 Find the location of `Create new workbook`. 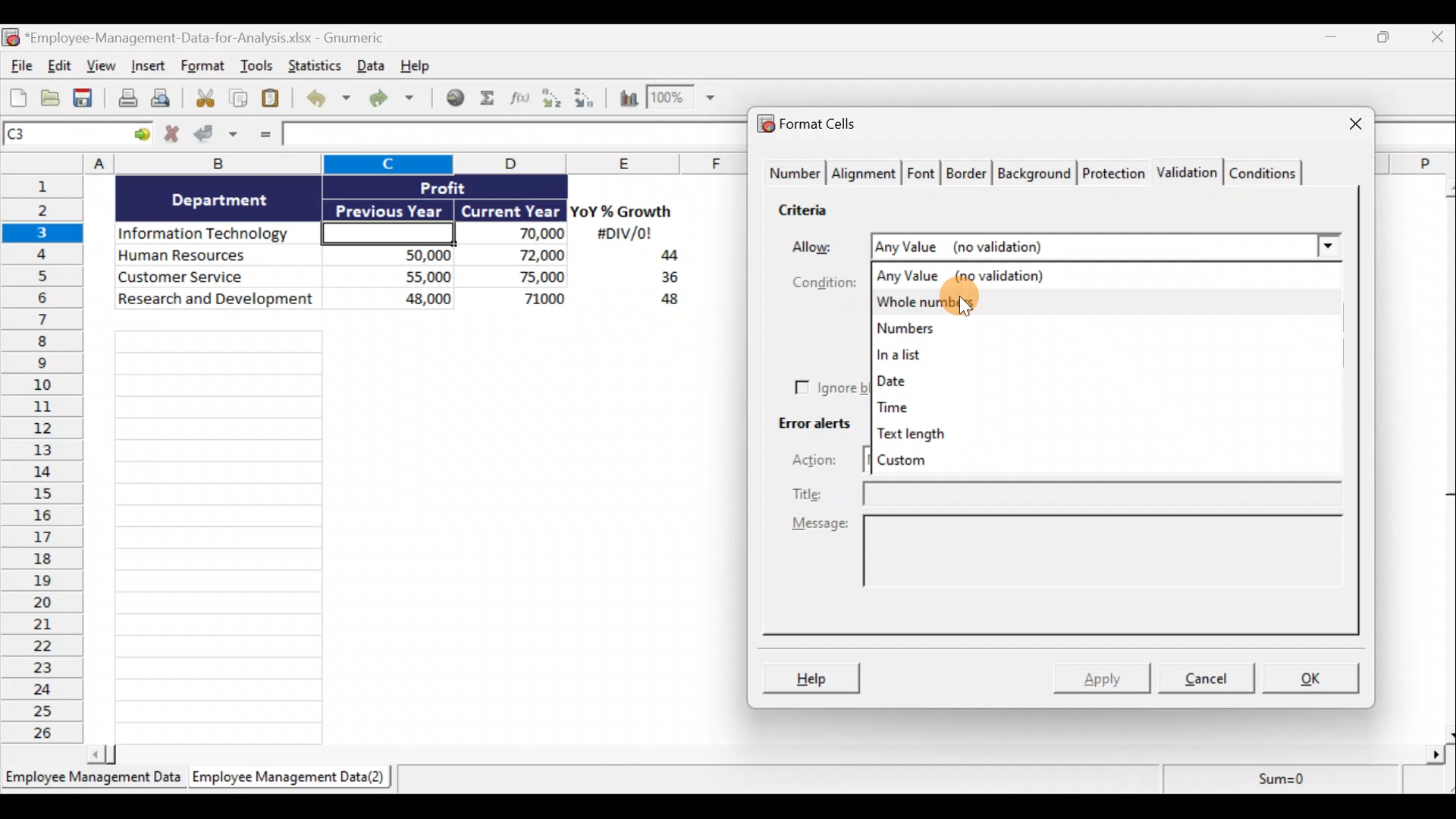

Create new workbook is located at coordinates (18, 97).